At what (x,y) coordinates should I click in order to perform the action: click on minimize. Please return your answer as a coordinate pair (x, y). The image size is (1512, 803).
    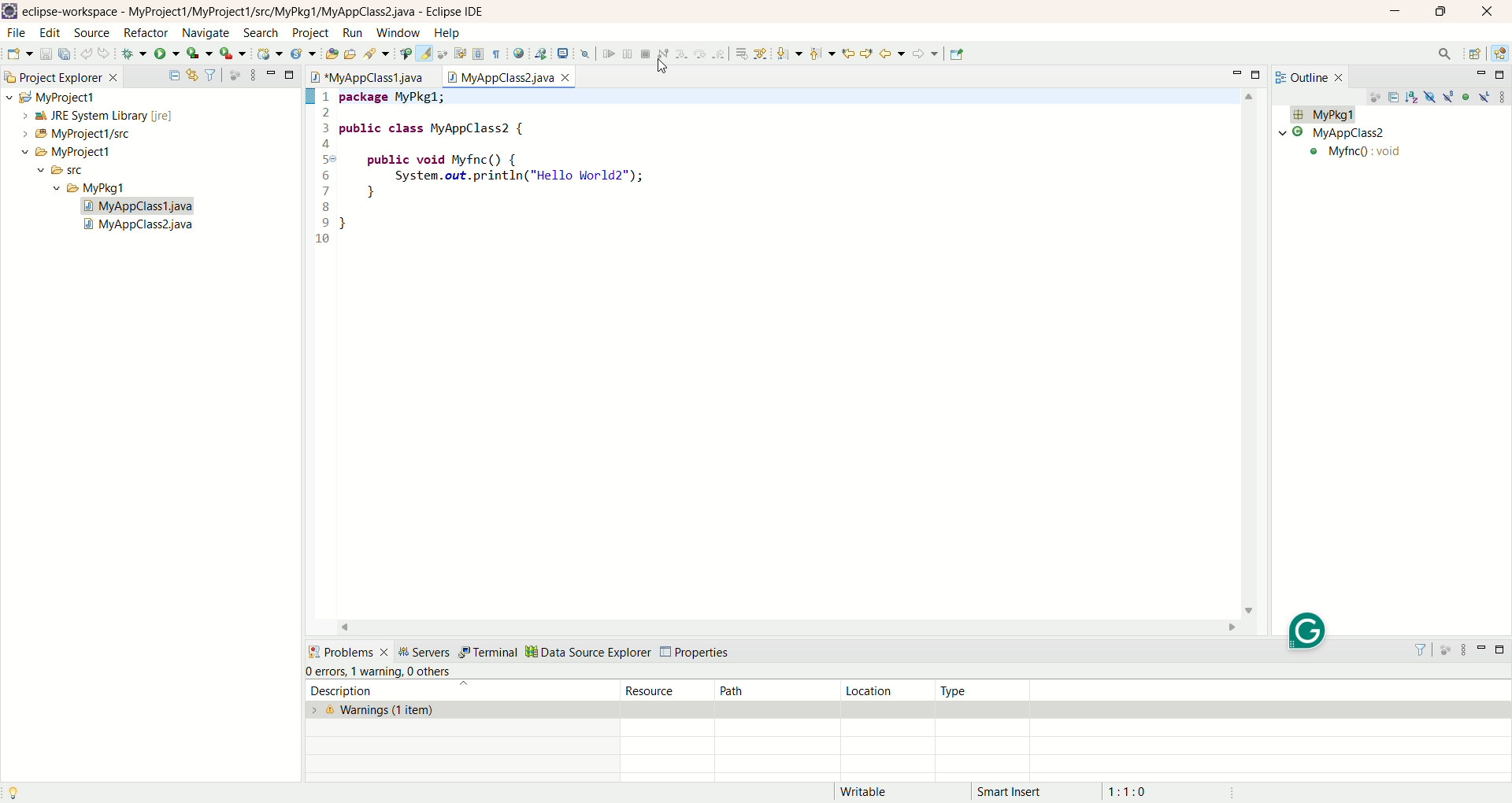
    Looking at the image, I should click on (1240, 72).